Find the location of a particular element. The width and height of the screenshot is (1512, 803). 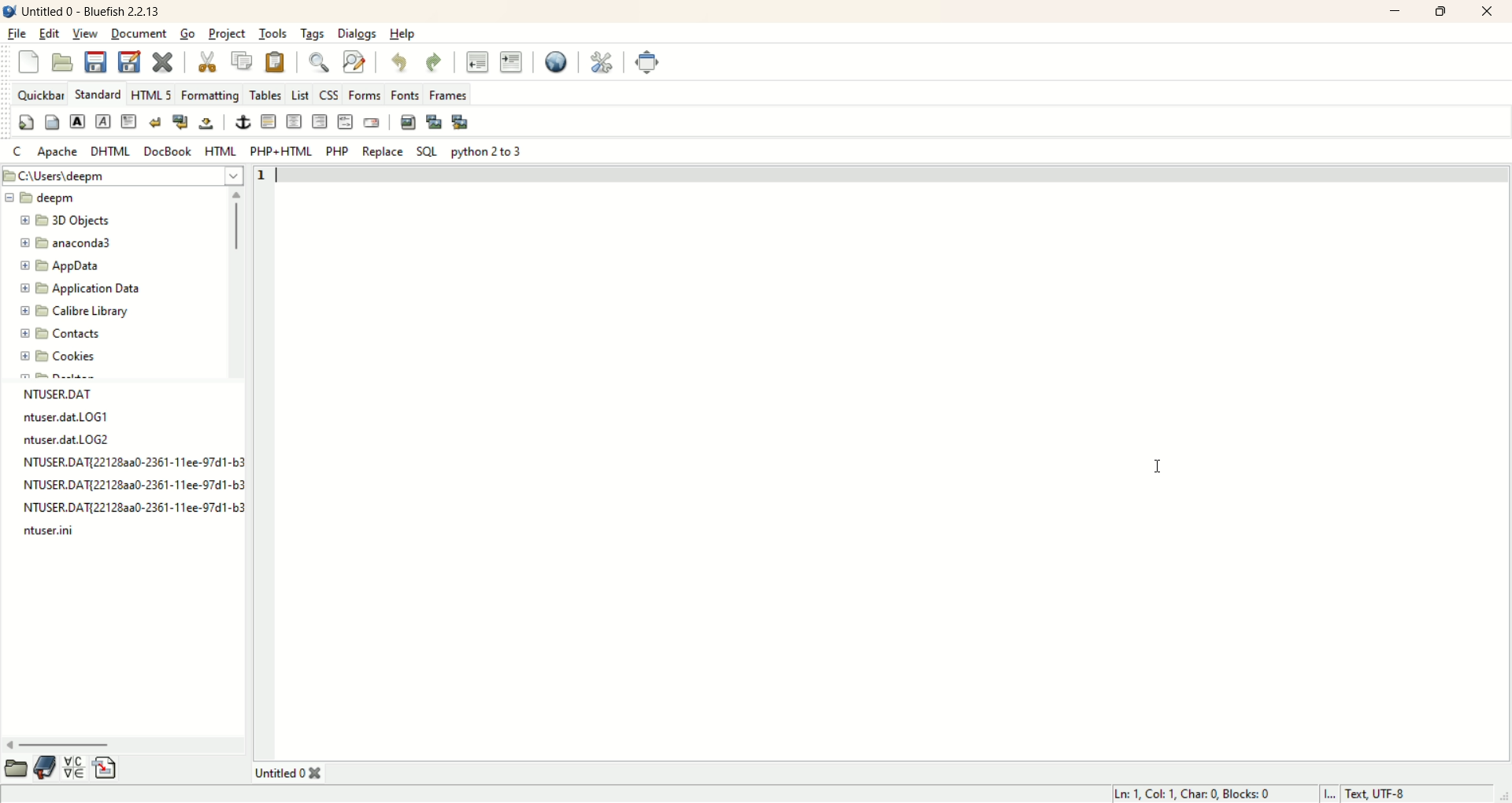

appdata is located at coordinates (59, 265).